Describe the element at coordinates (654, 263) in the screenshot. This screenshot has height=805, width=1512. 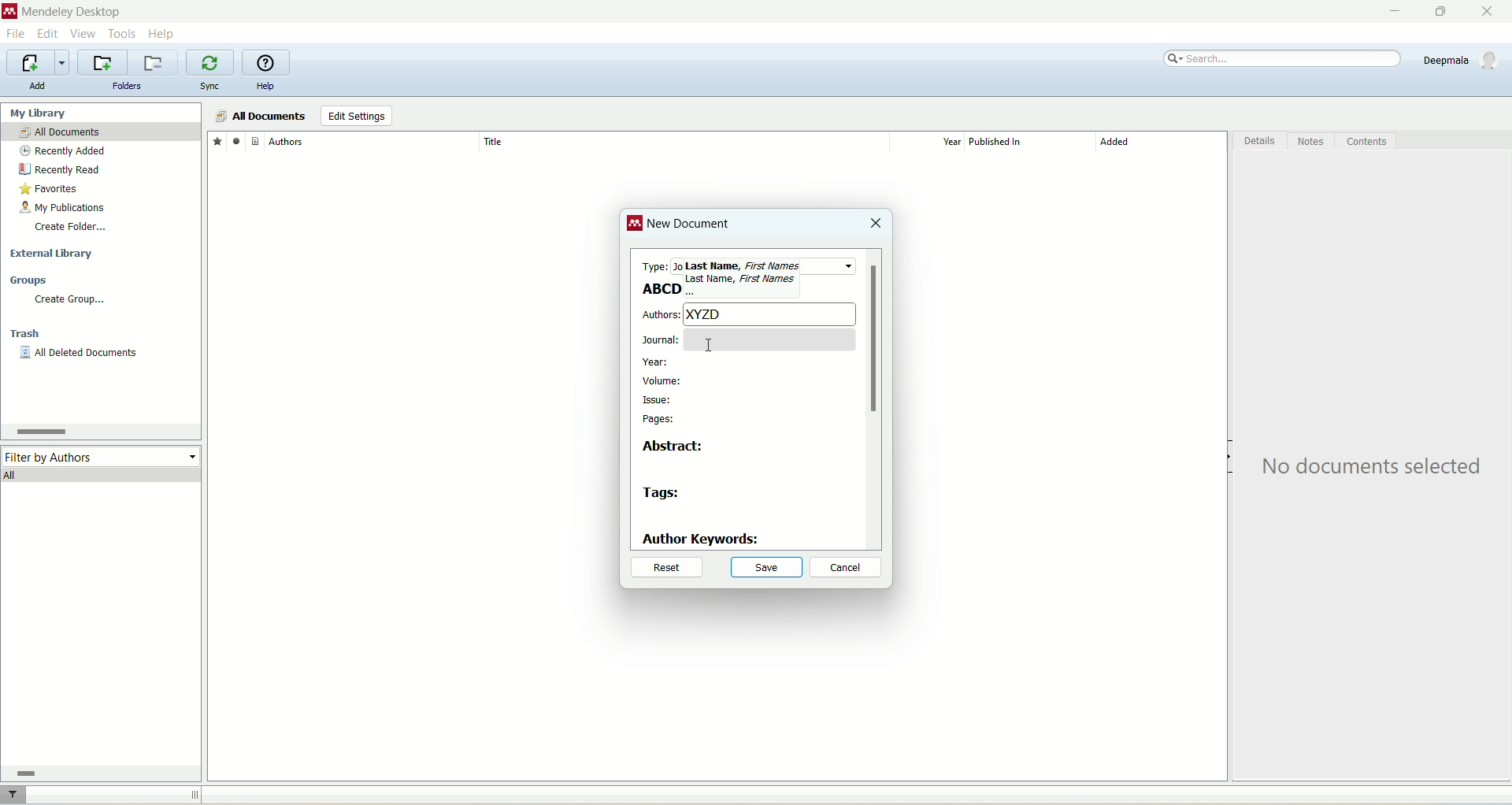
I see `type` at that location.